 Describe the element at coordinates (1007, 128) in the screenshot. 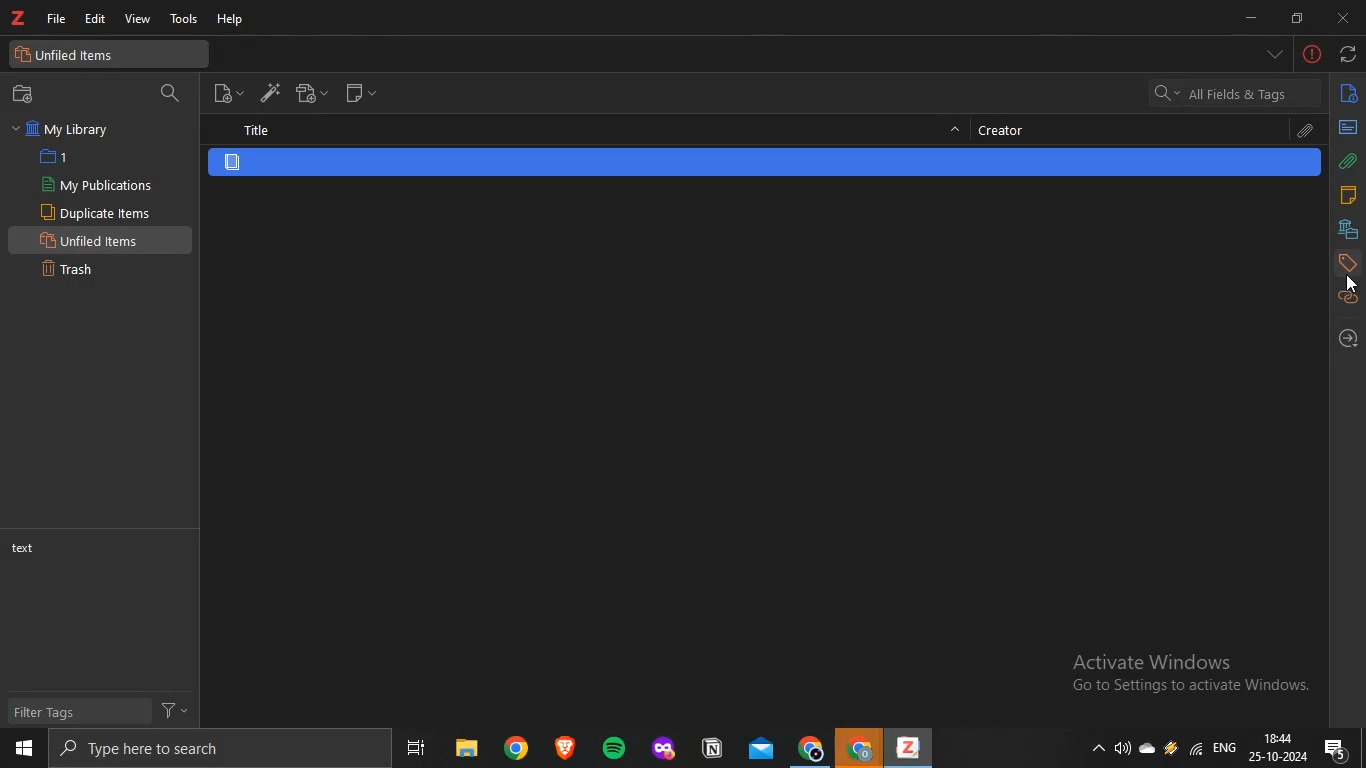

I see `creator` at that location.